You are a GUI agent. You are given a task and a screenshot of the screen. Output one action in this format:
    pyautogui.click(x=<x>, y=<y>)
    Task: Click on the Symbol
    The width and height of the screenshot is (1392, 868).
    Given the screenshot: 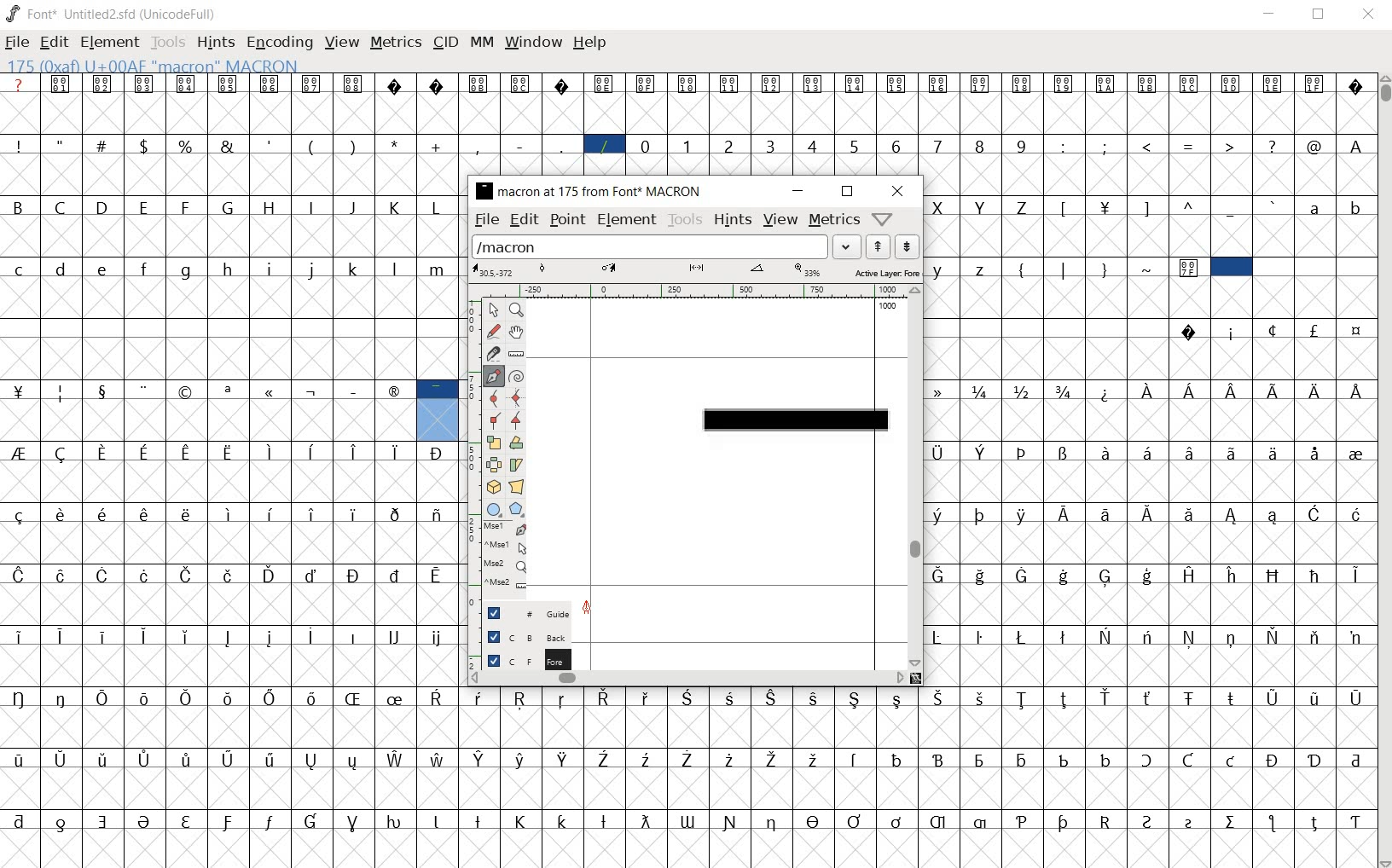 What is the action you would take?
    pyautogui.click(x=1356, y=697)
    